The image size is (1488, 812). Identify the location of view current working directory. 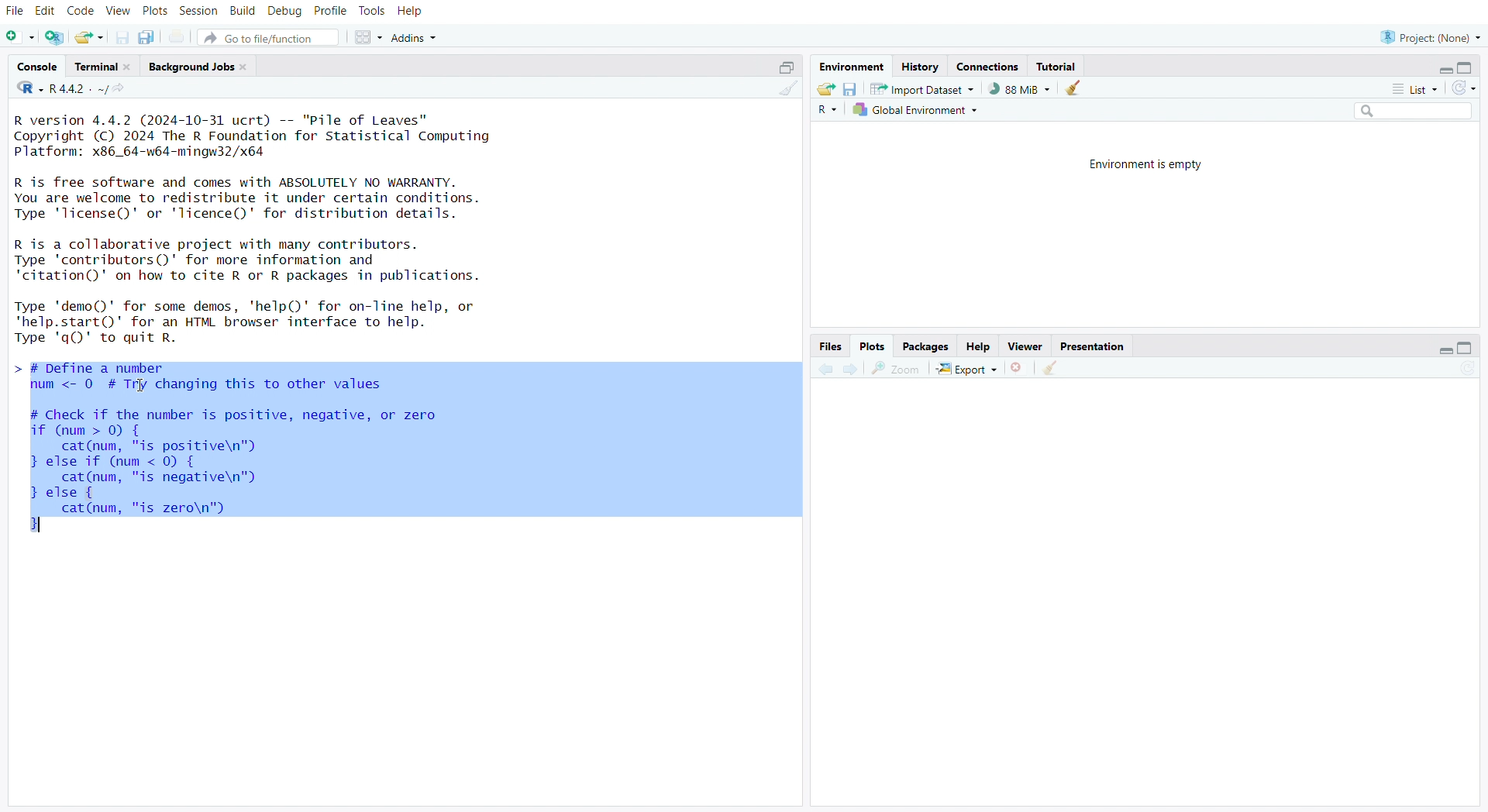
(122, 89).